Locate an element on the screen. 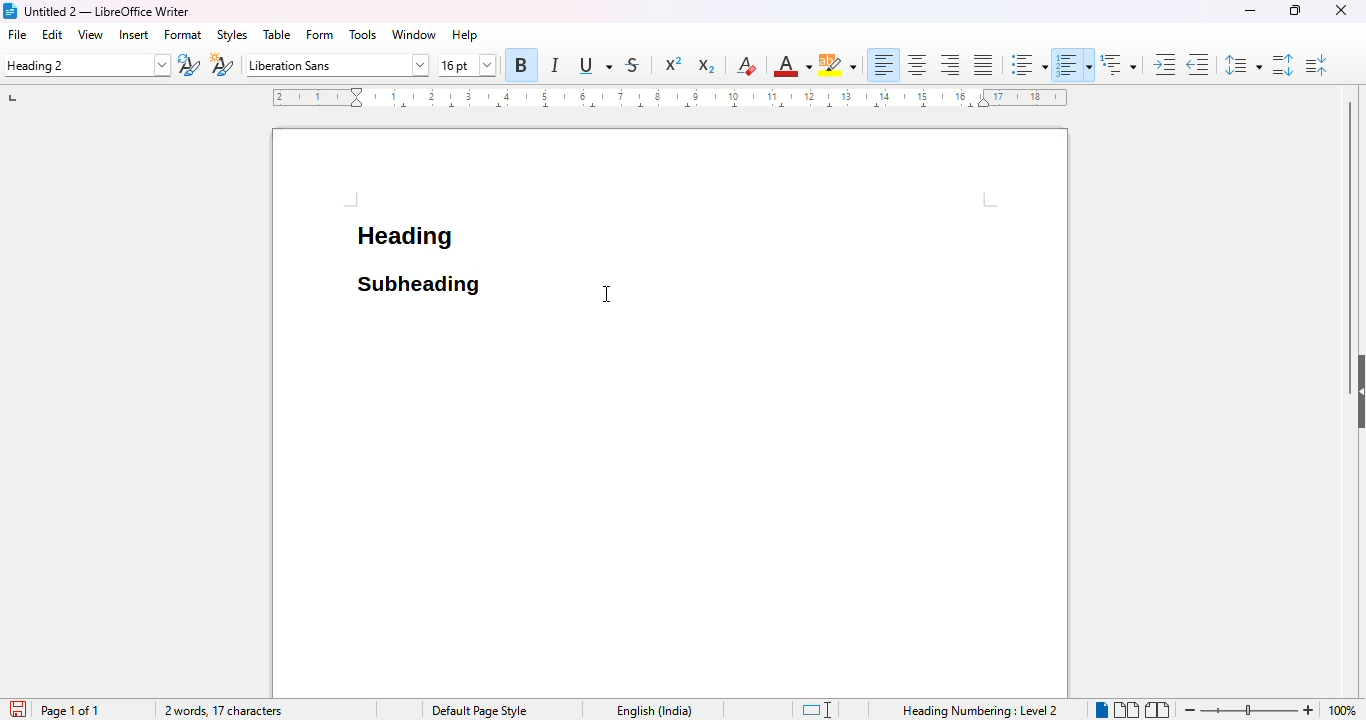 This screenshot has width=1366, height=720. text language is located at coordinates (655, 710).